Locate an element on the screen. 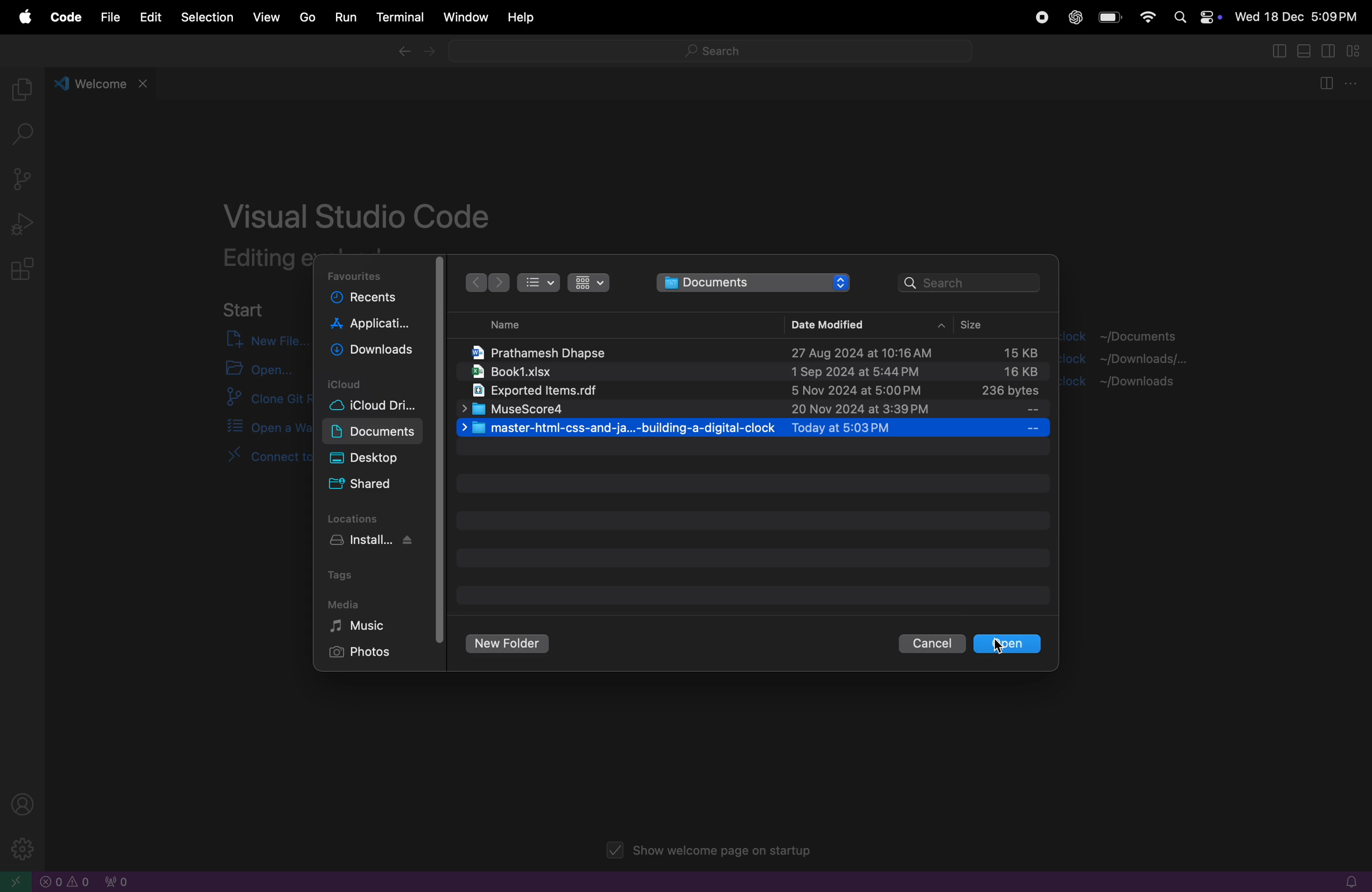 This screenshot has width=1372, height=892. Visual studio code is located at coordinates (360, 211).